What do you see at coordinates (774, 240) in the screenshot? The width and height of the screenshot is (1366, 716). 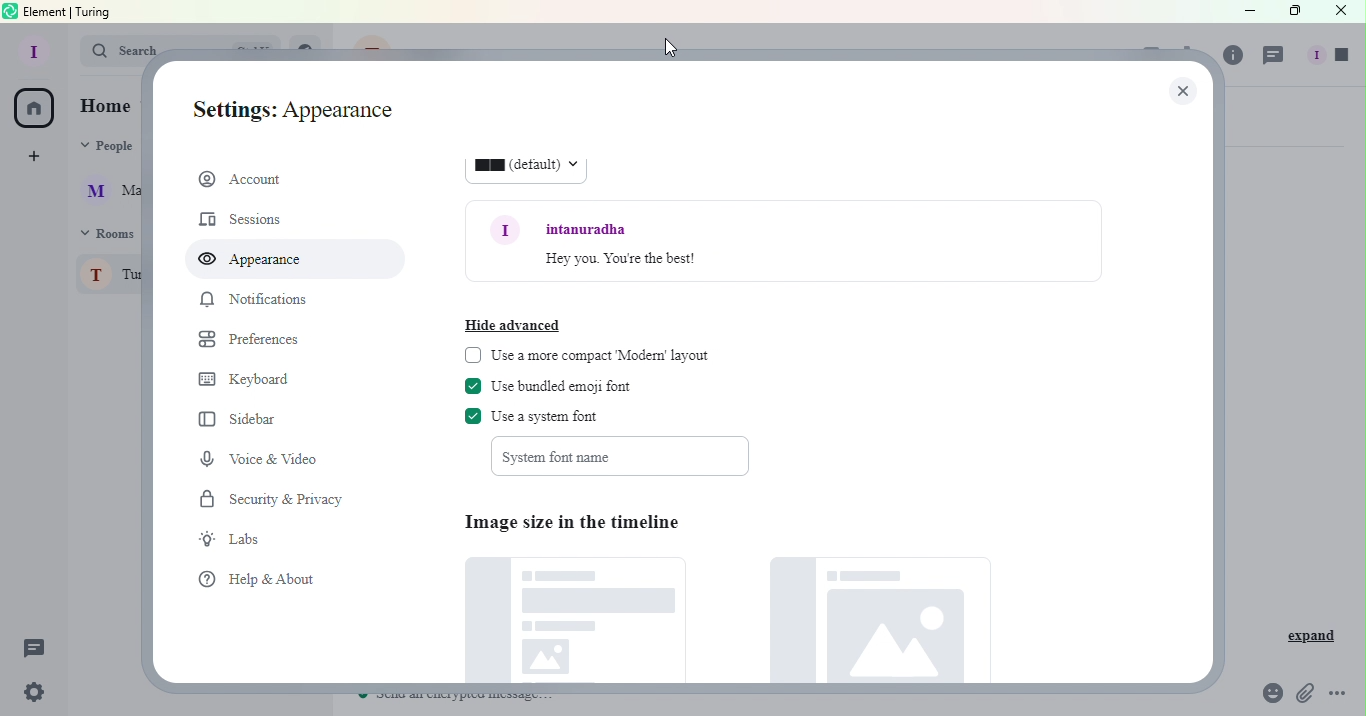 I see `Font example` at bounding box center [774, 240].